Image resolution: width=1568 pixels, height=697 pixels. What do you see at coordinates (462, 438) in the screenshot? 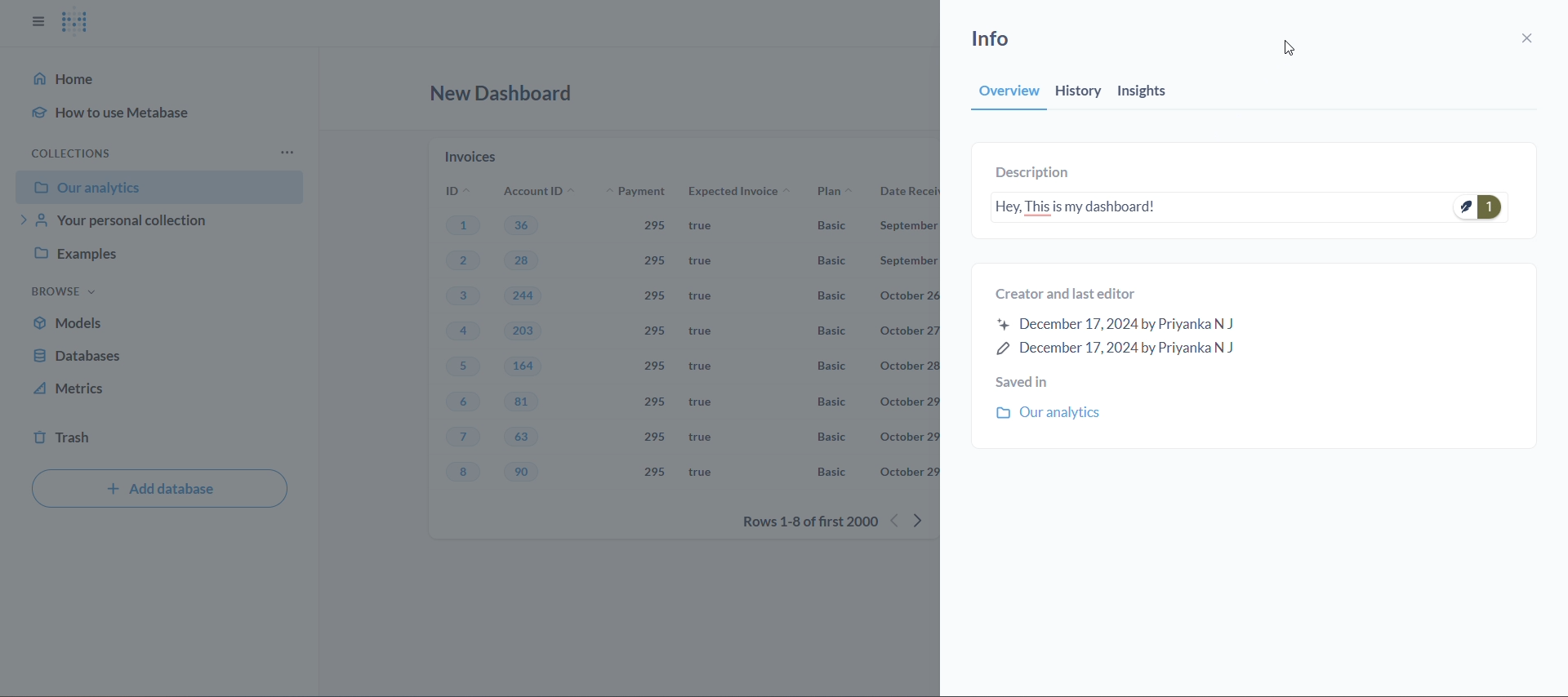
I see `7` at bounding box center [462, 438].